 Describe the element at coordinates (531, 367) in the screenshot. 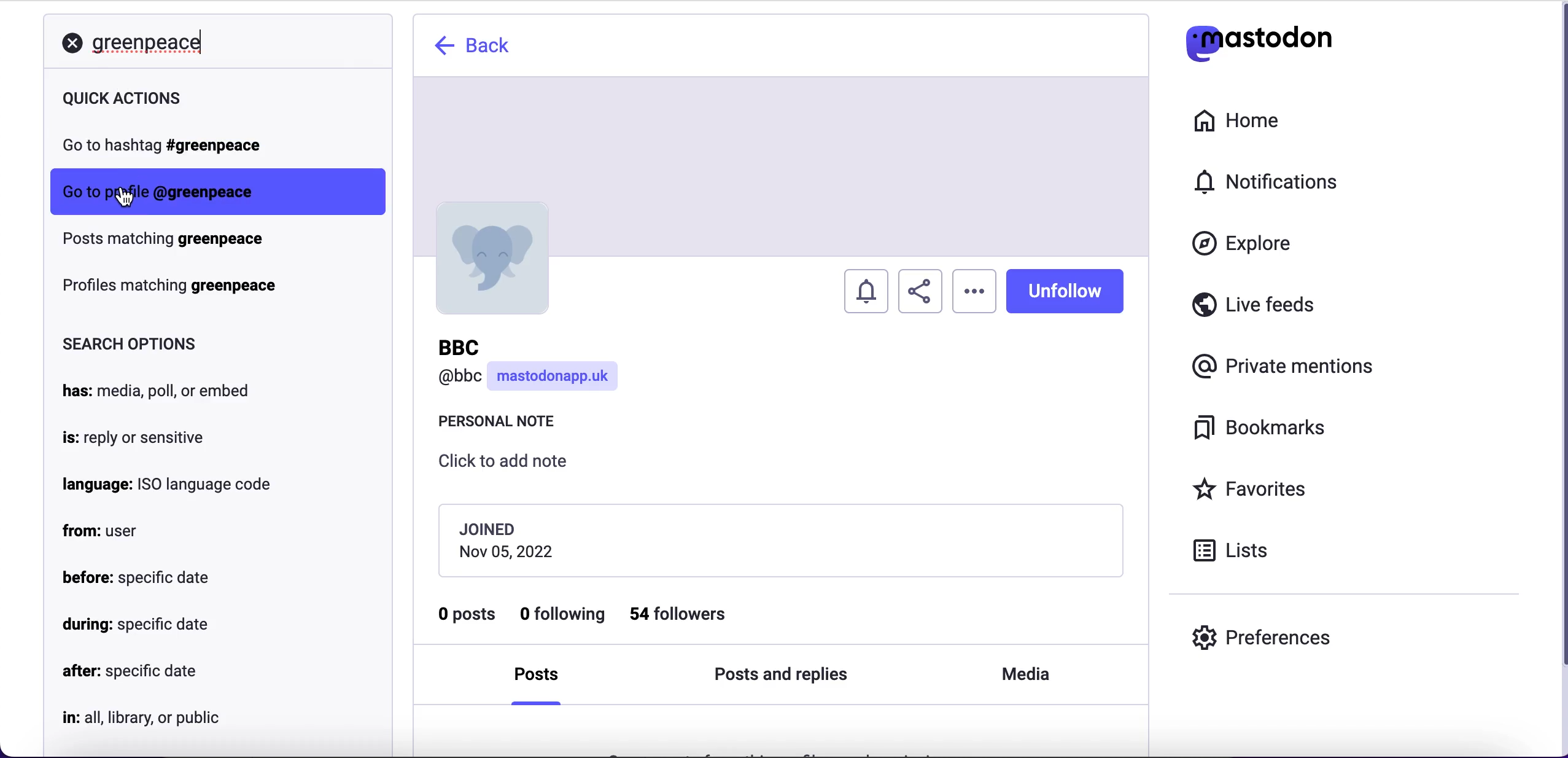

I see `user name` at that location.